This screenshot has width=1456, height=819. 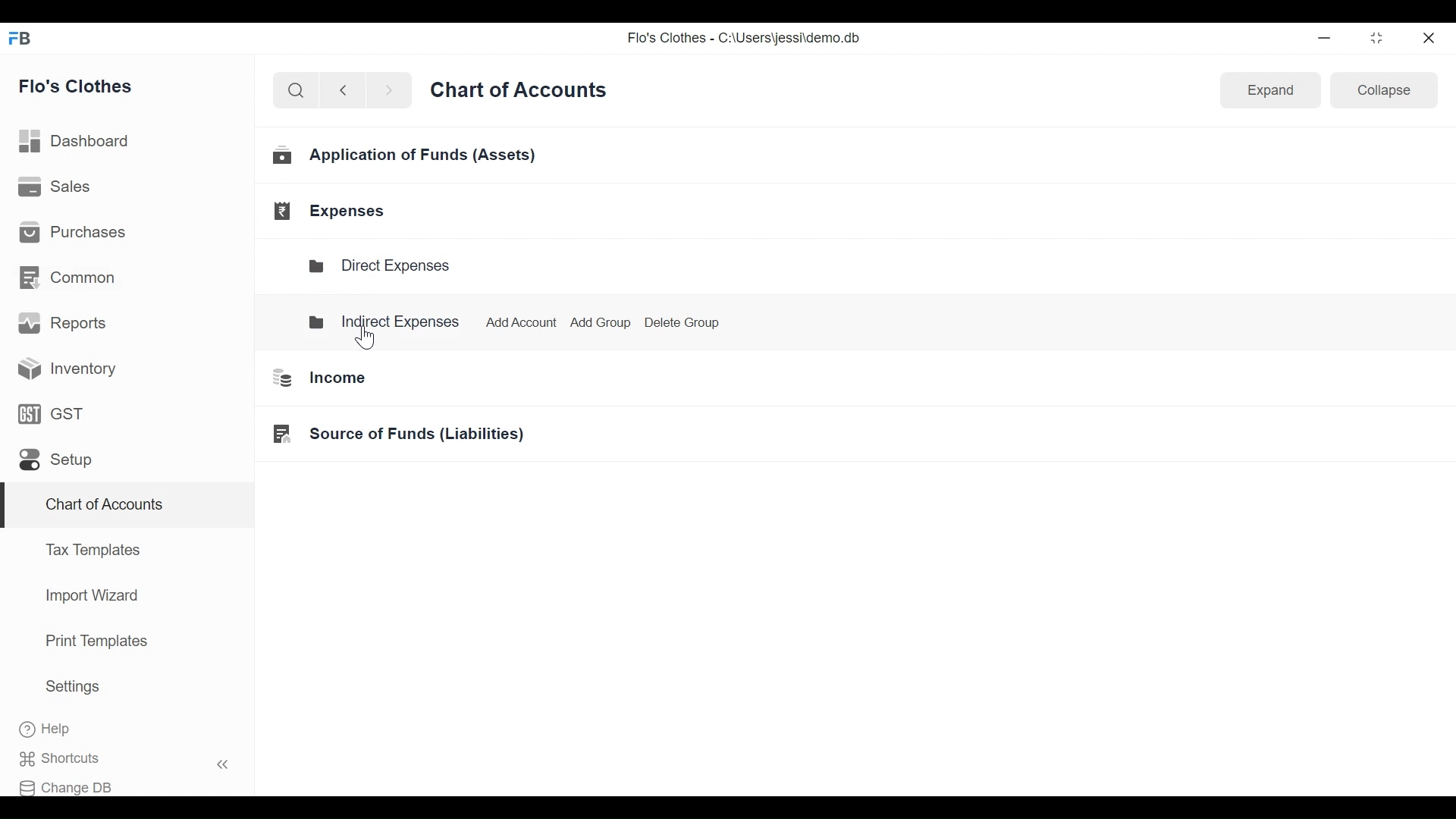 What do you see at coordinates (24, 42) in the screenshot?
I see `FB` at bounding box center [24, 42].